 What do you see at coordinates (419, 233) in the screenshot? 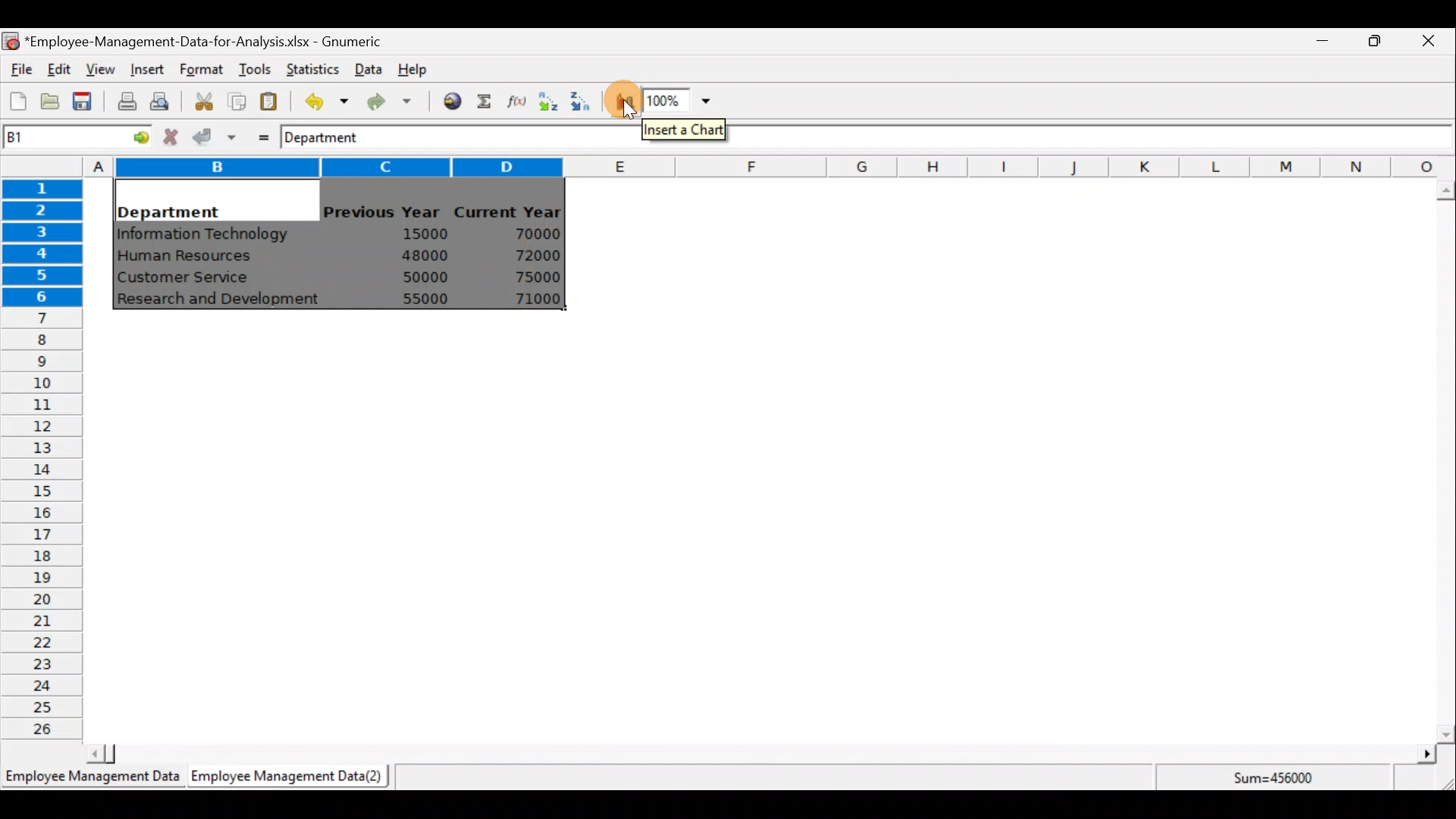
I see `15000` at bounding box center [419, 233].